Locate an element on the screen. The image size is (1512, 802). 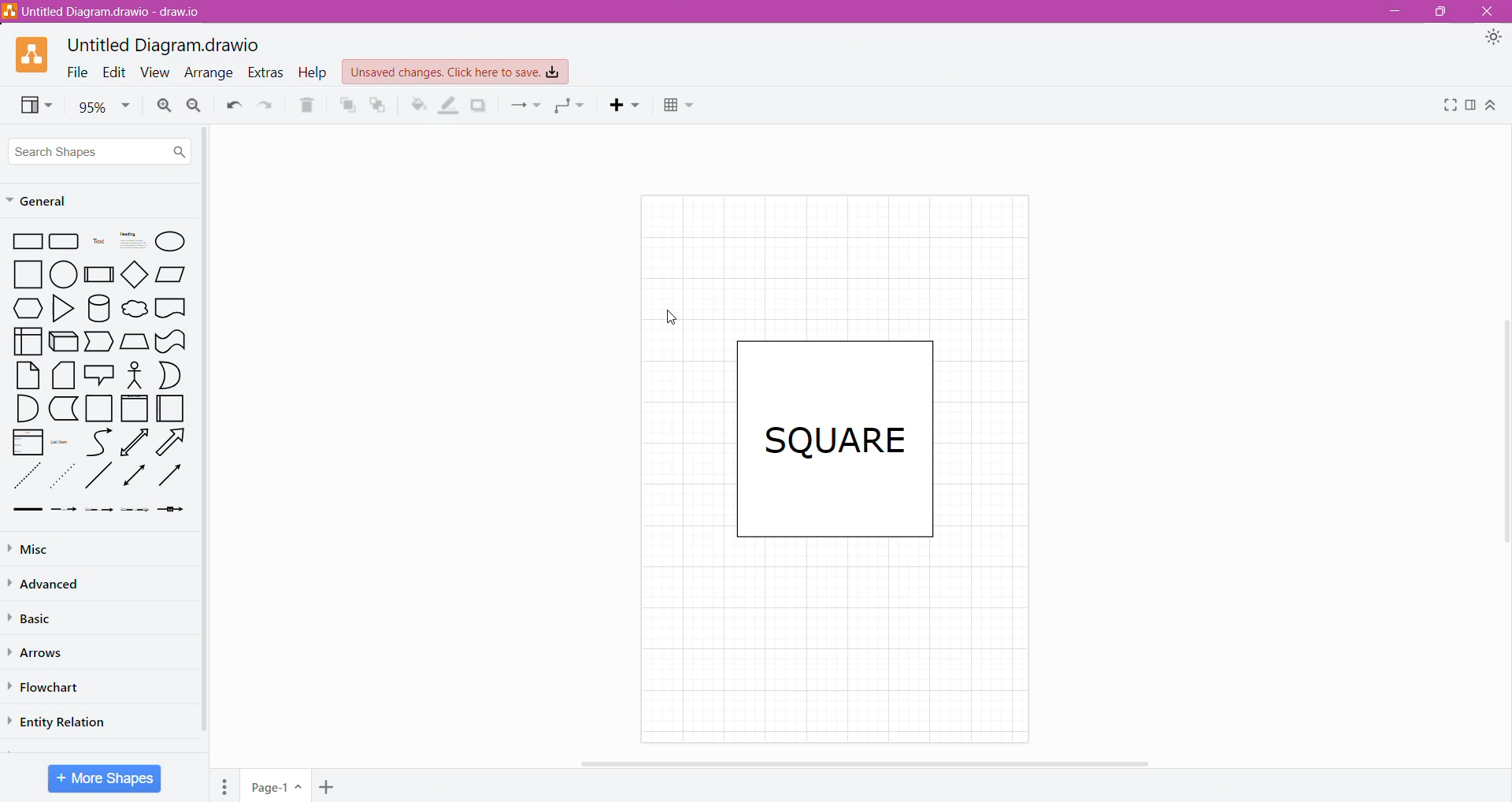
Grid rectangle is located at coordinates (65, 241).